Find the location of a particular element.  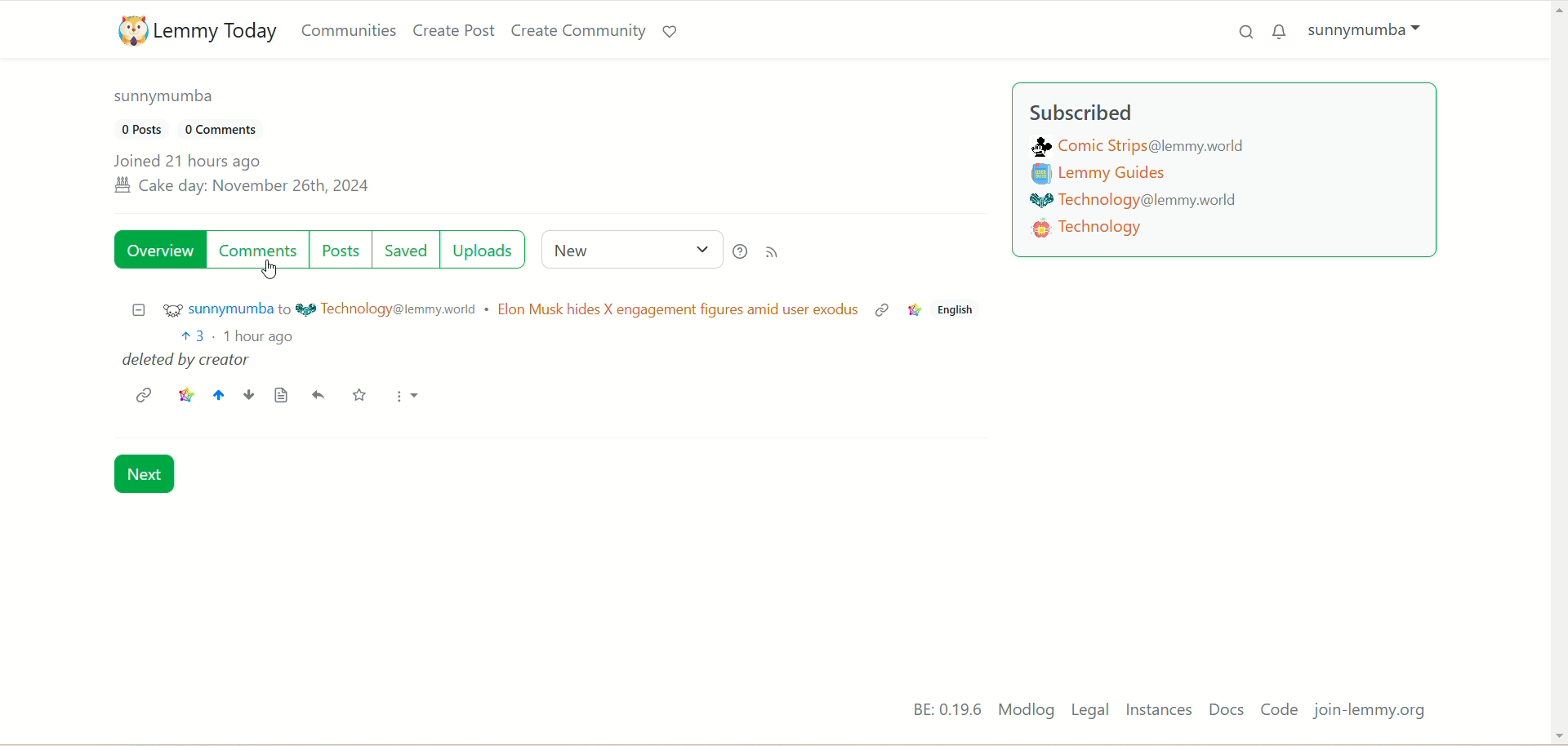

0 comments is located at coordinates (232, 131).